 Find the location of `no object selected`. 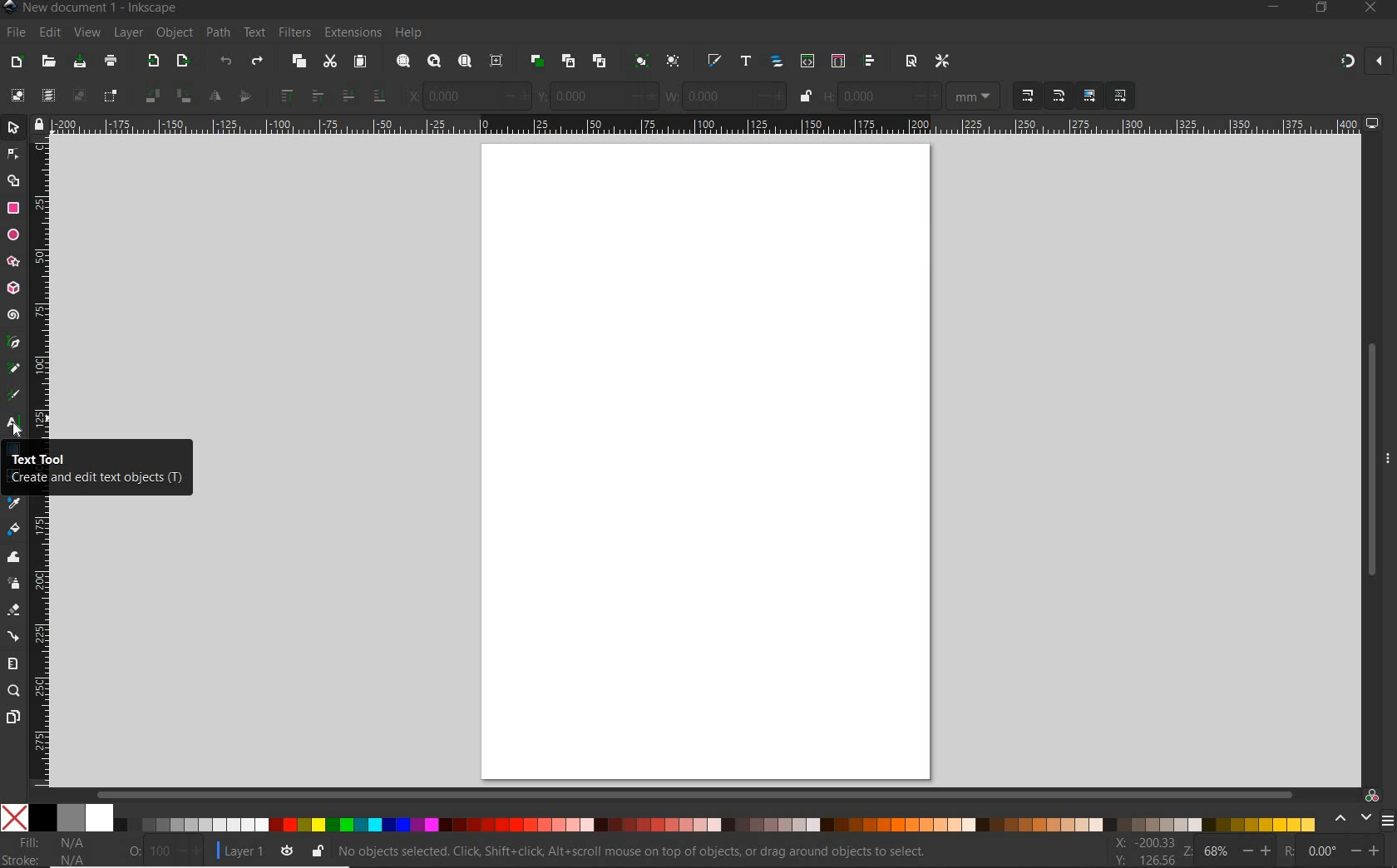

no object selected is located at coordinates (637, 851).